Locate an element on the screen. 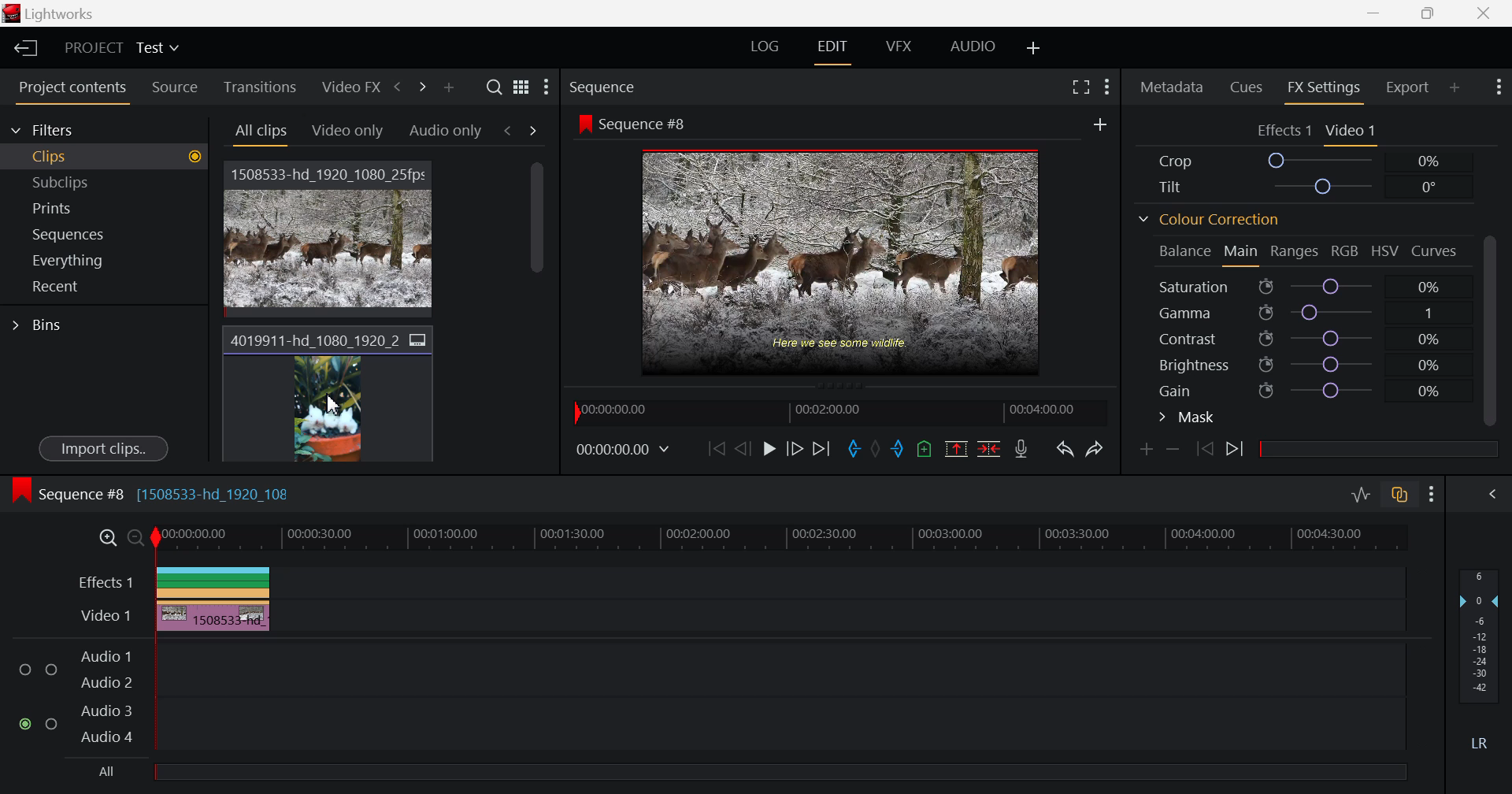  Window Title is located at coordinates (61, 15).